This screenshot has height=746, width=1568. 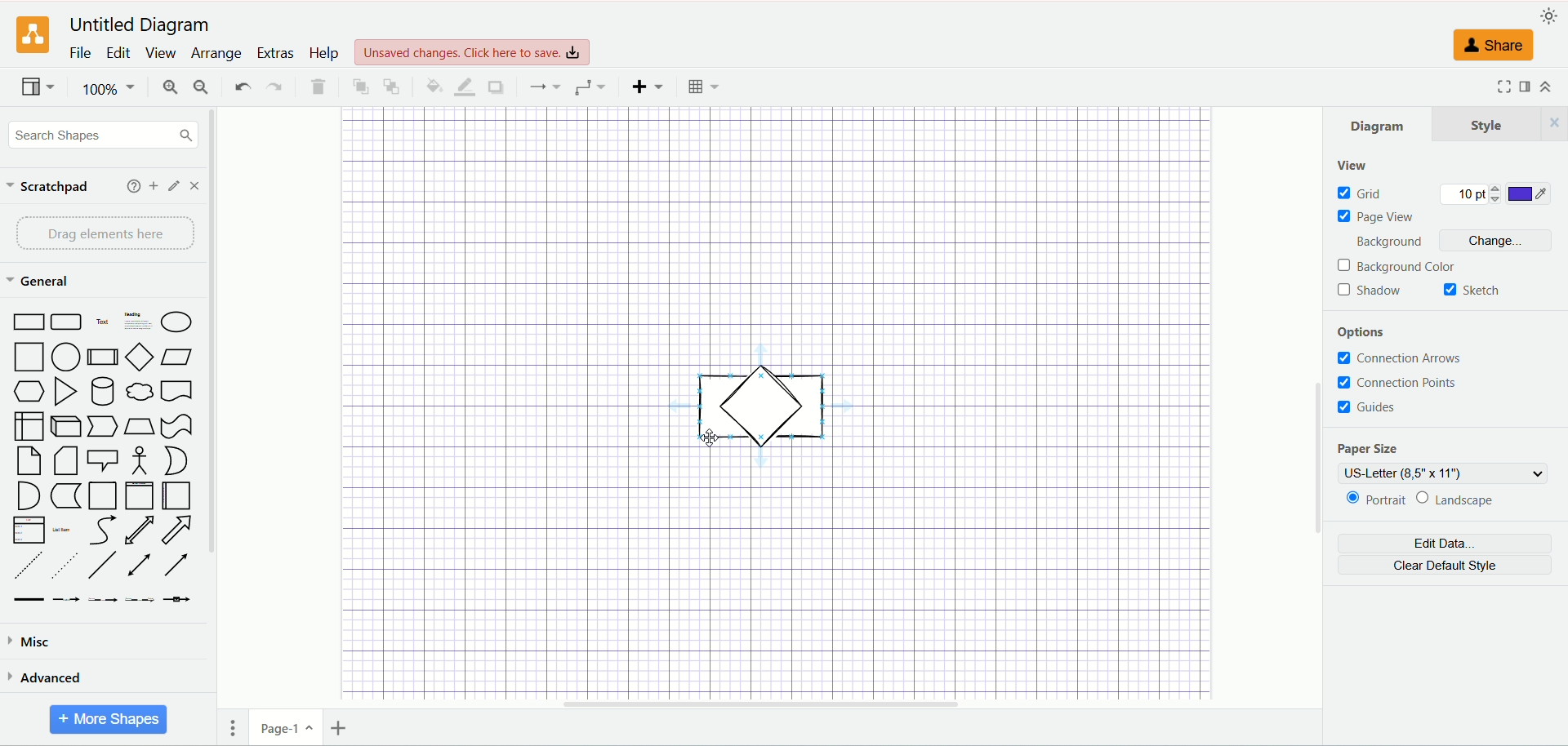 What do you see at coordinates (174, 186) in the screenshot?
I see `edit` at bounding box center [174, 186].